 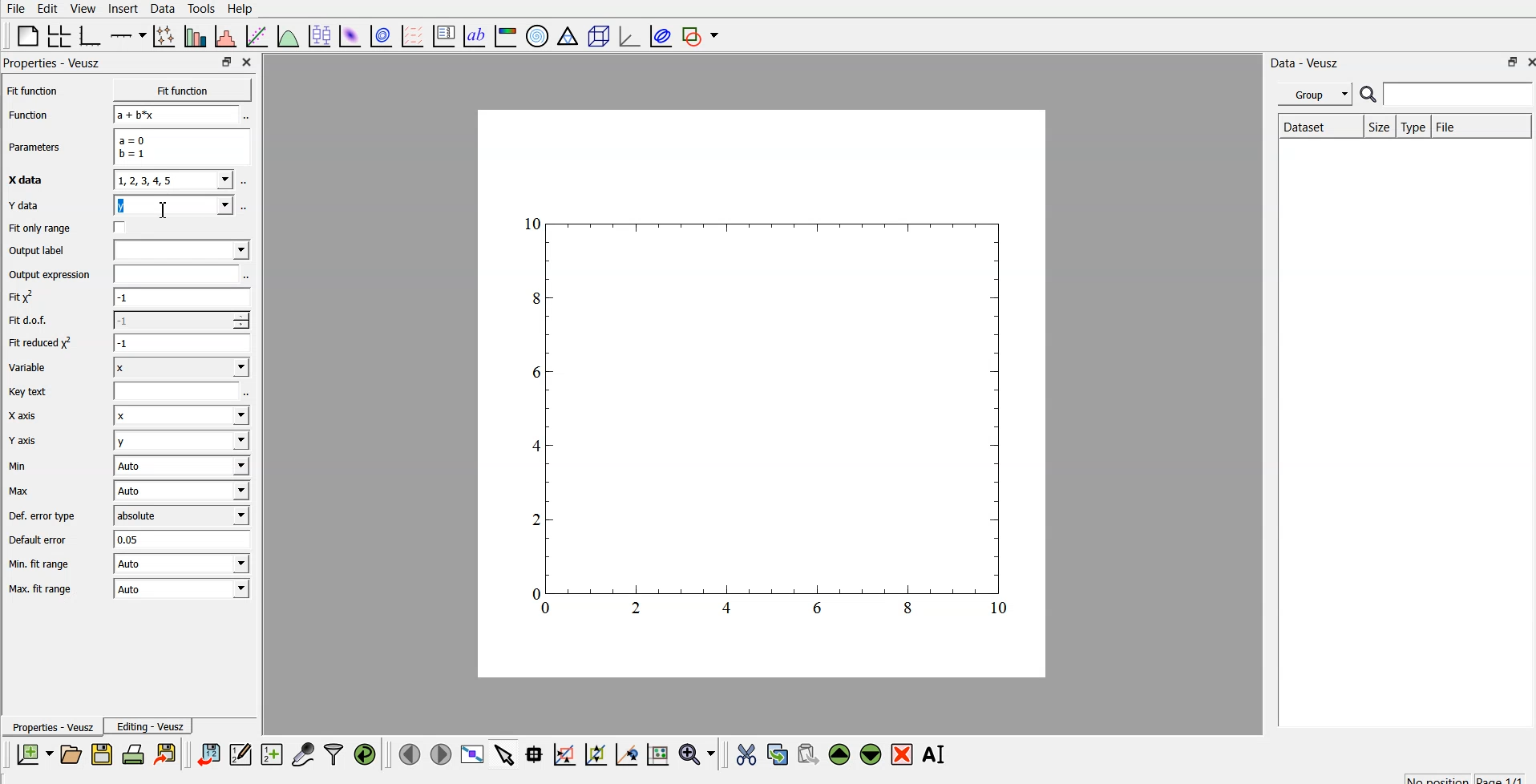 I want to click on filter data, so click(x=335, y=756).